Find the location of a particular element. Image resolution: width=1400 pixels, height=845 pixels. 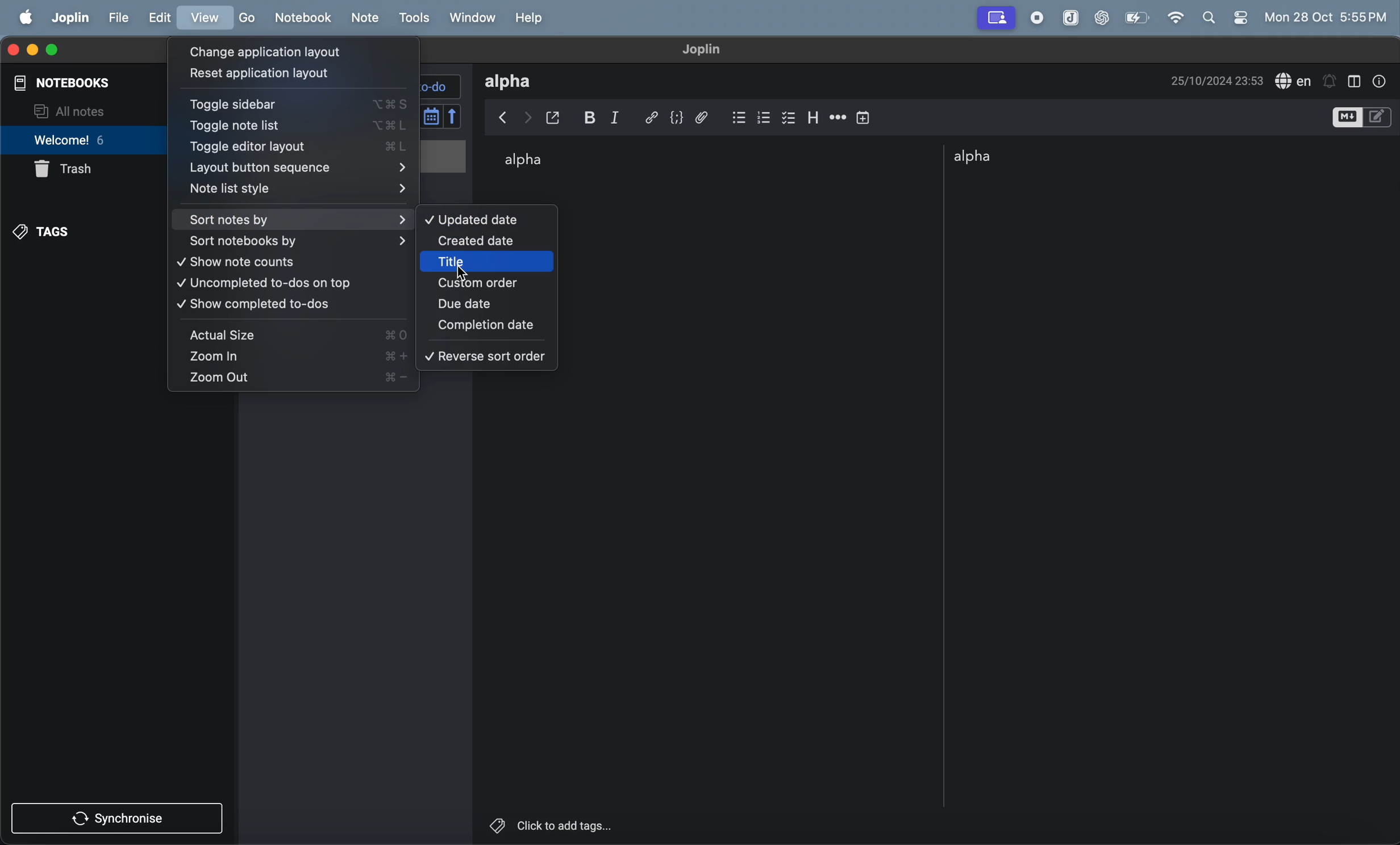

note properties is located at coordinates (1383, 80).